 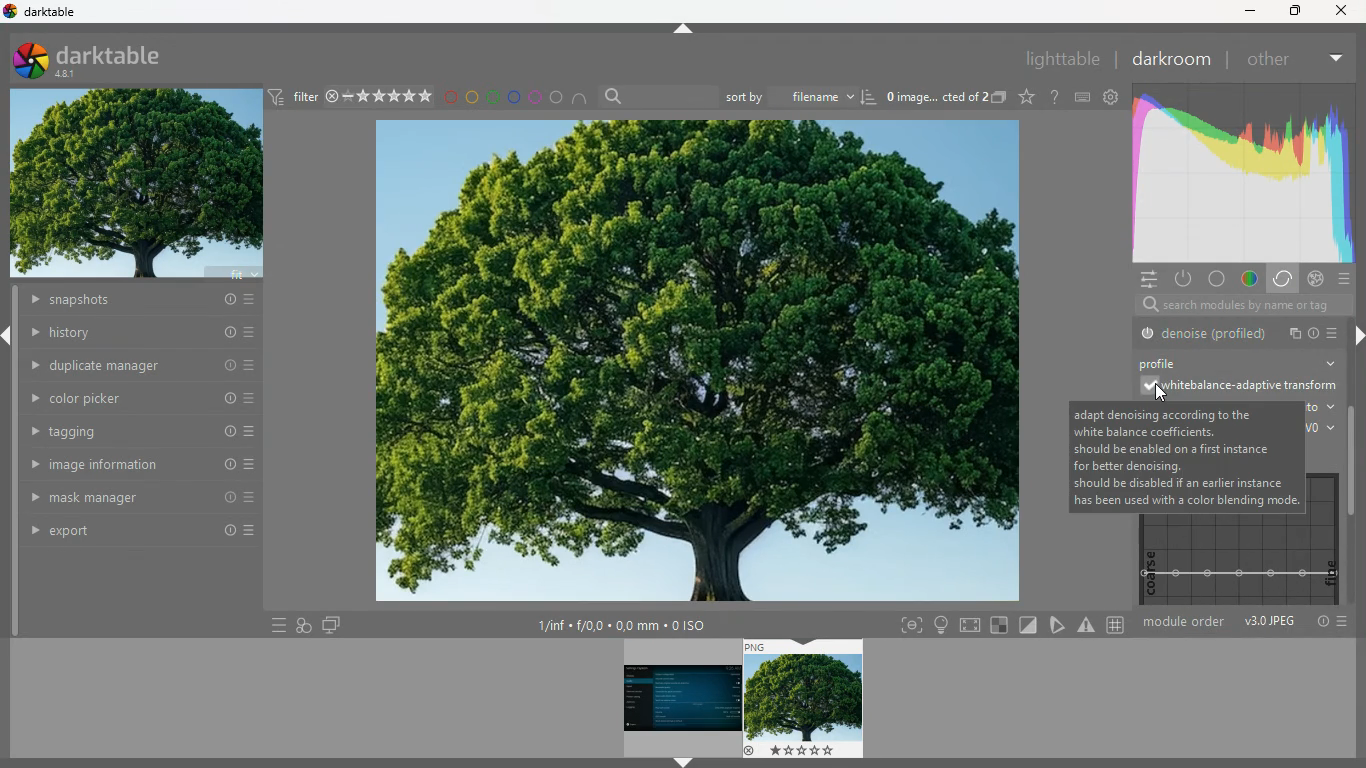 I want to click on settings, so click(x=1114, y=97).